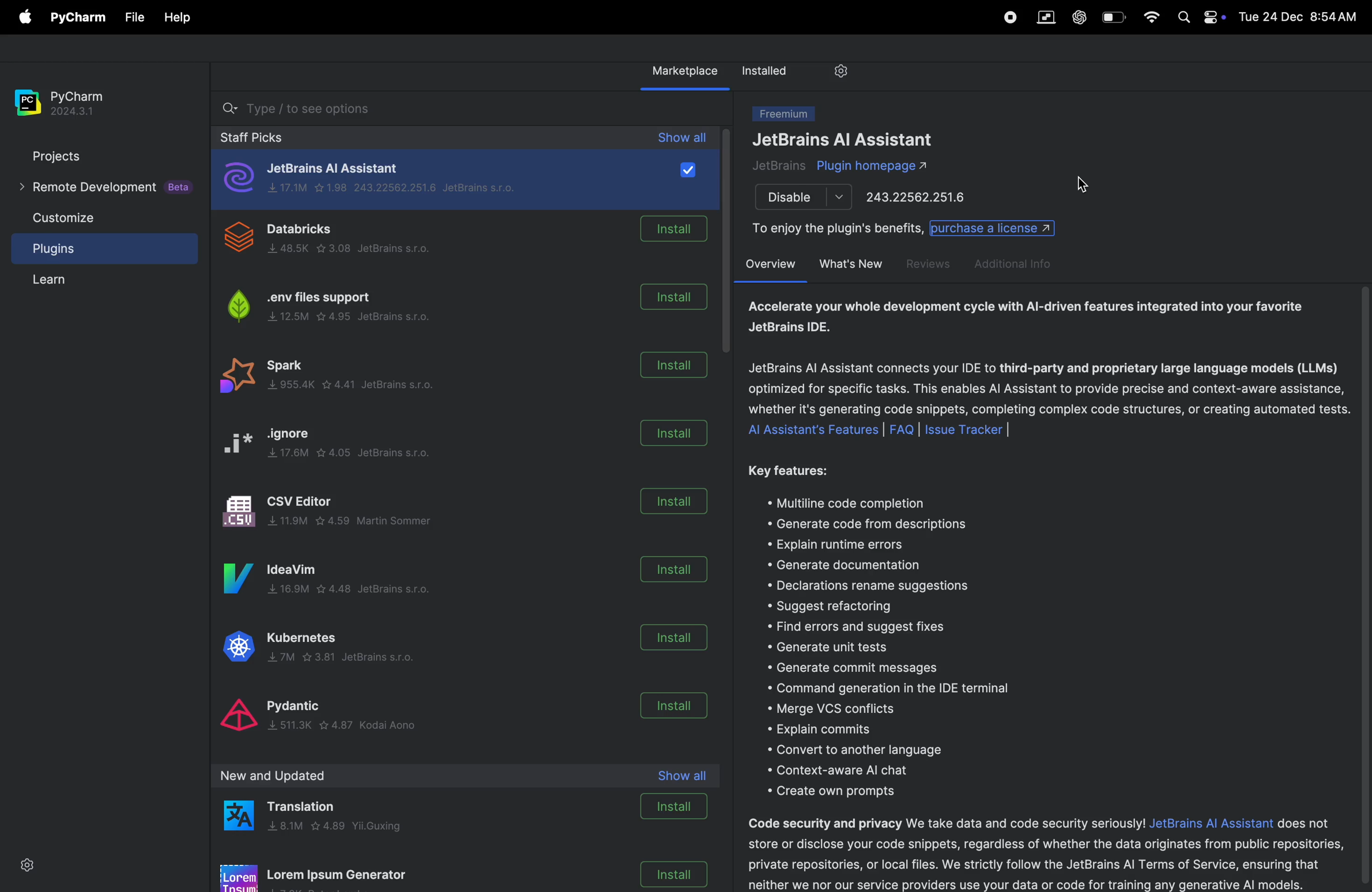 The image size is (1372, 892). I want to click on plugins, so click(70, 250).